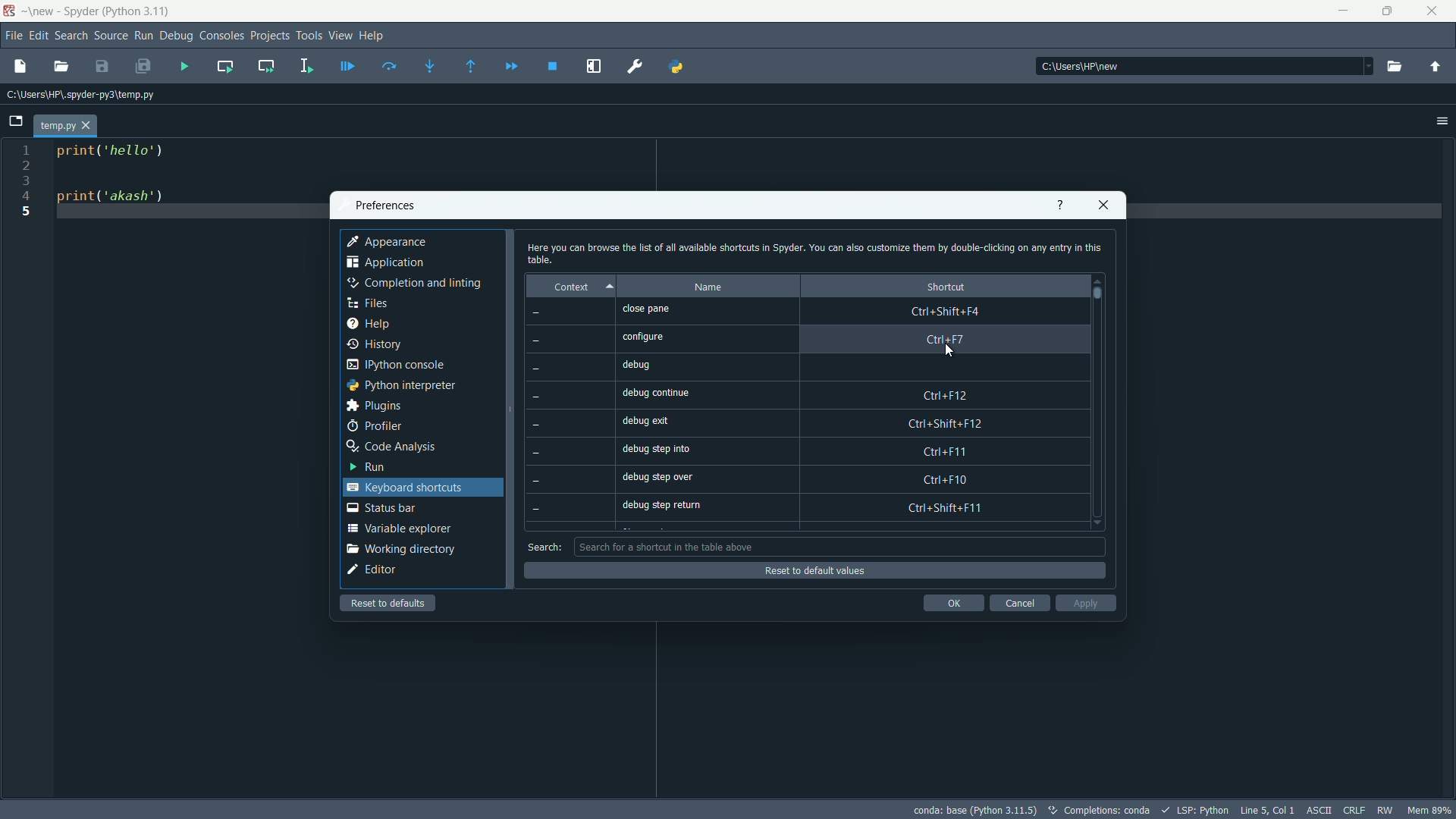 The height and width of the screenshot is (819, 1456). I want to click on file menu, so click(15, 36).